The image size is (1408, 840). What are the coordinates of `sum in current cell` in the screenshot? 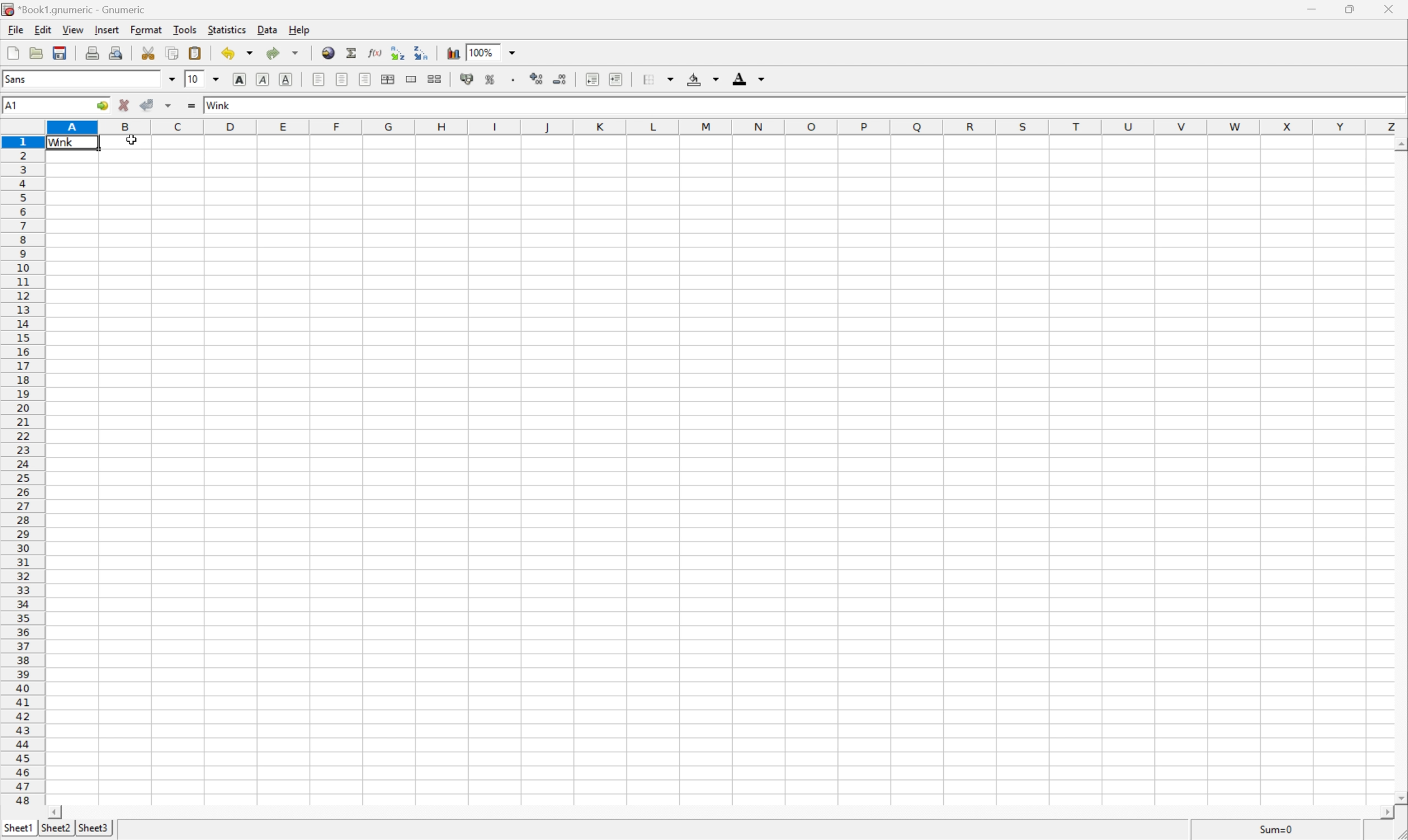 It's located at (351, 52).